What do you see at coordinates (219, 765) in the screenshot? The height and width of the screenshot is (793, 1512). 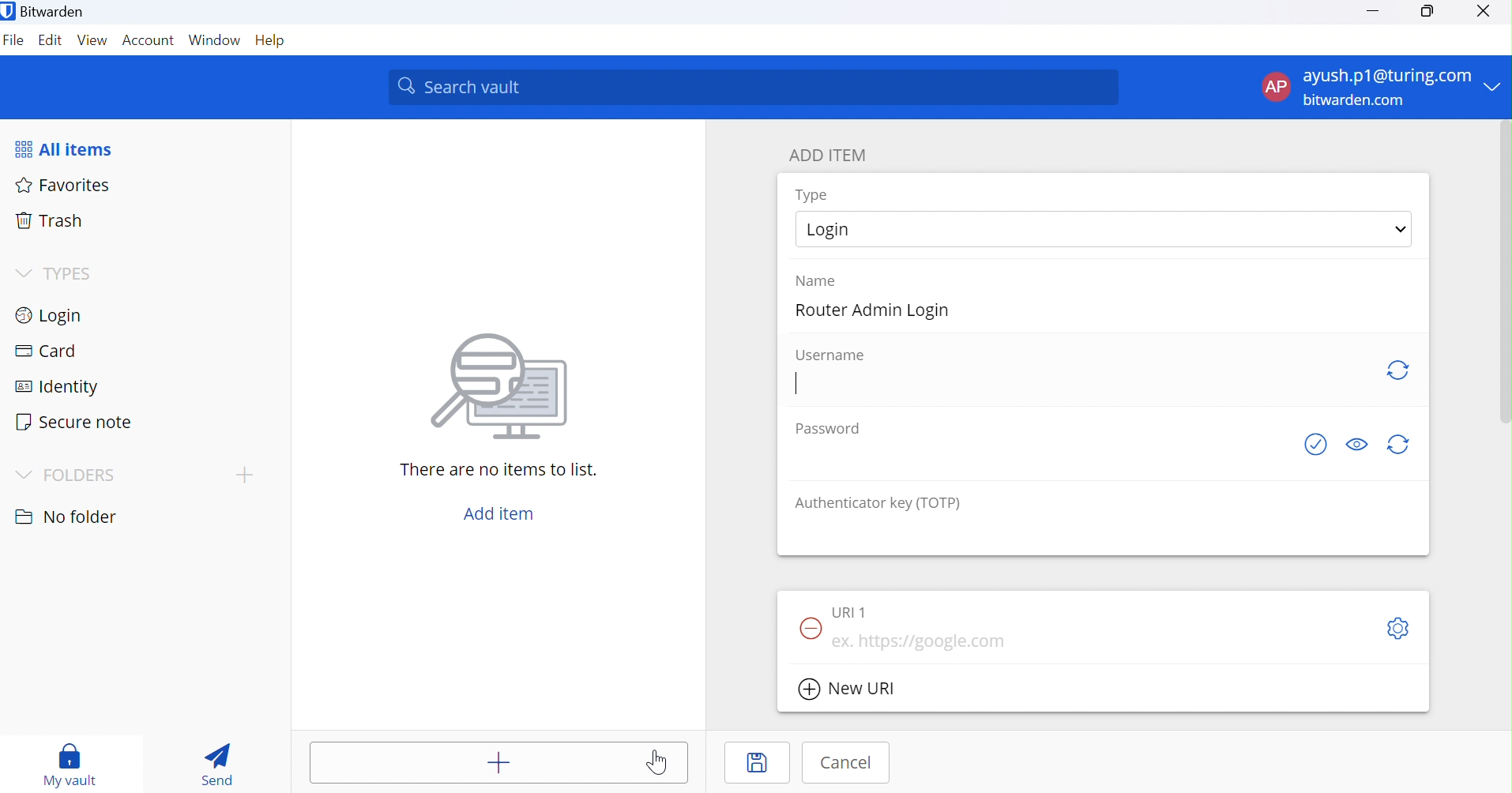 I see `Send` at bounding box center [219, 765].